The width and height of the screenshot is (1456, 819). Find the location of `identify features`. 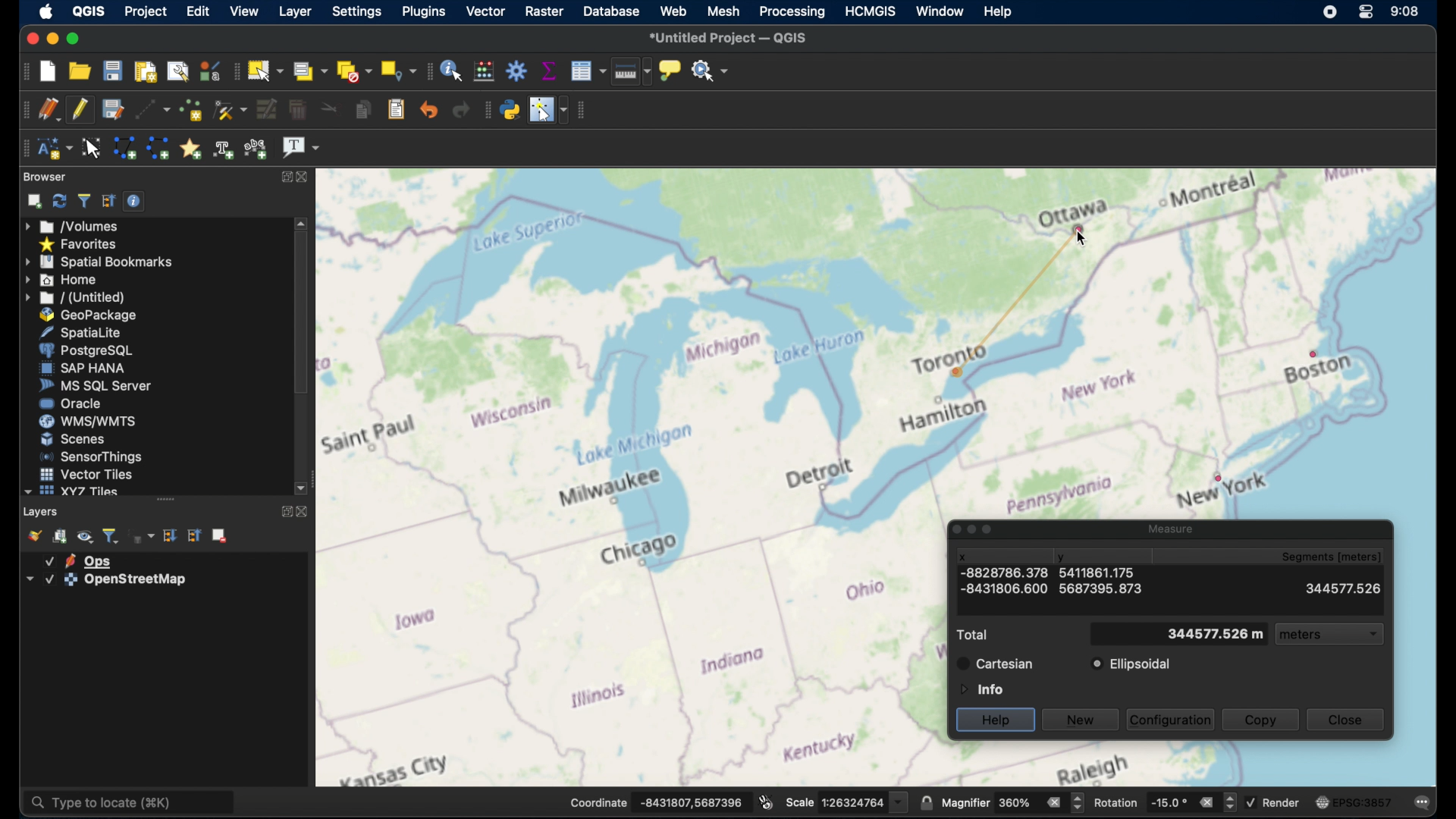

identify features is located at coordinates (453, 69).